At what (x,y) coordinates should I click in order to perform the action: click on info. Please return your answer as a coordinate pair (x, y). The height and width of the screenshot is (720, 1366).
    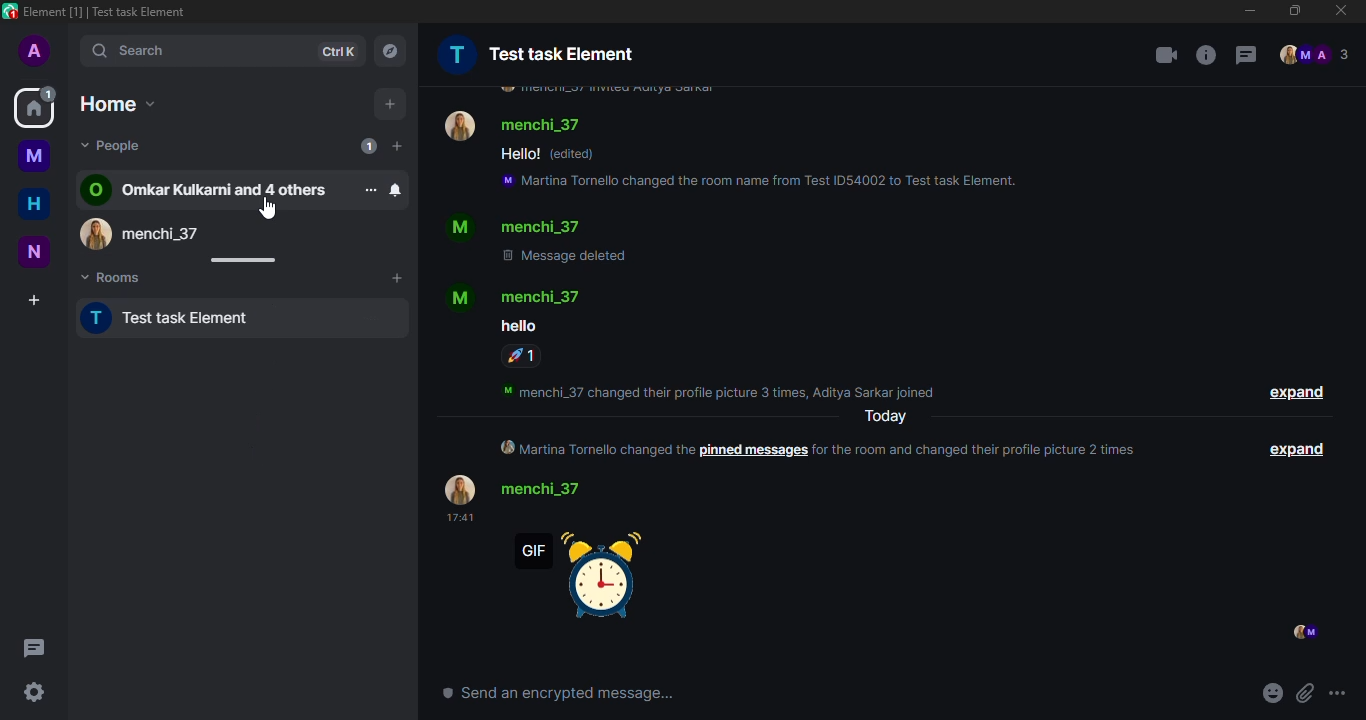
    Looking at the image, I should click on (1206, 54).